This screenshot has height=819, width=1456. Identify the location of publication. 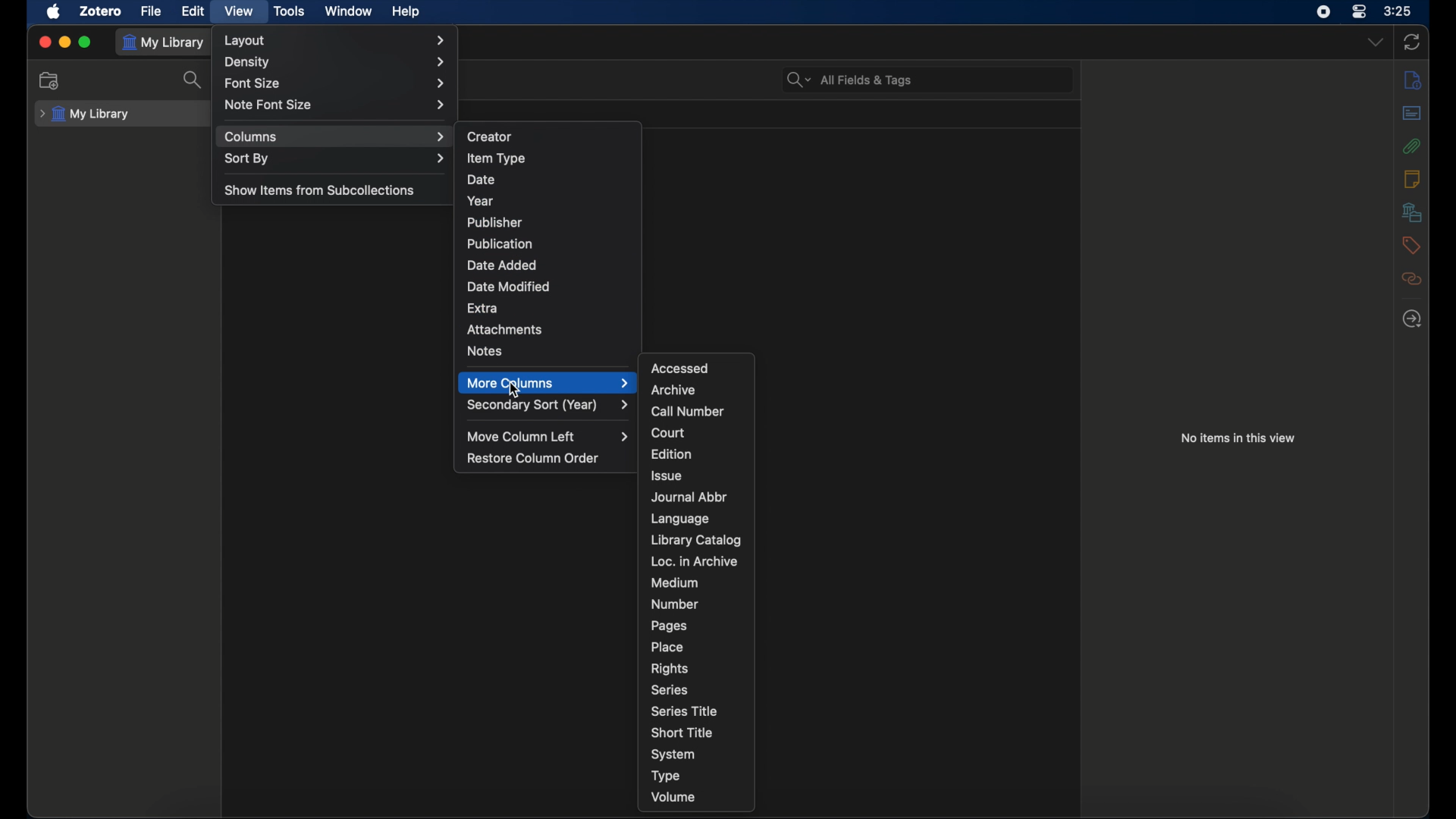
(499, 243).